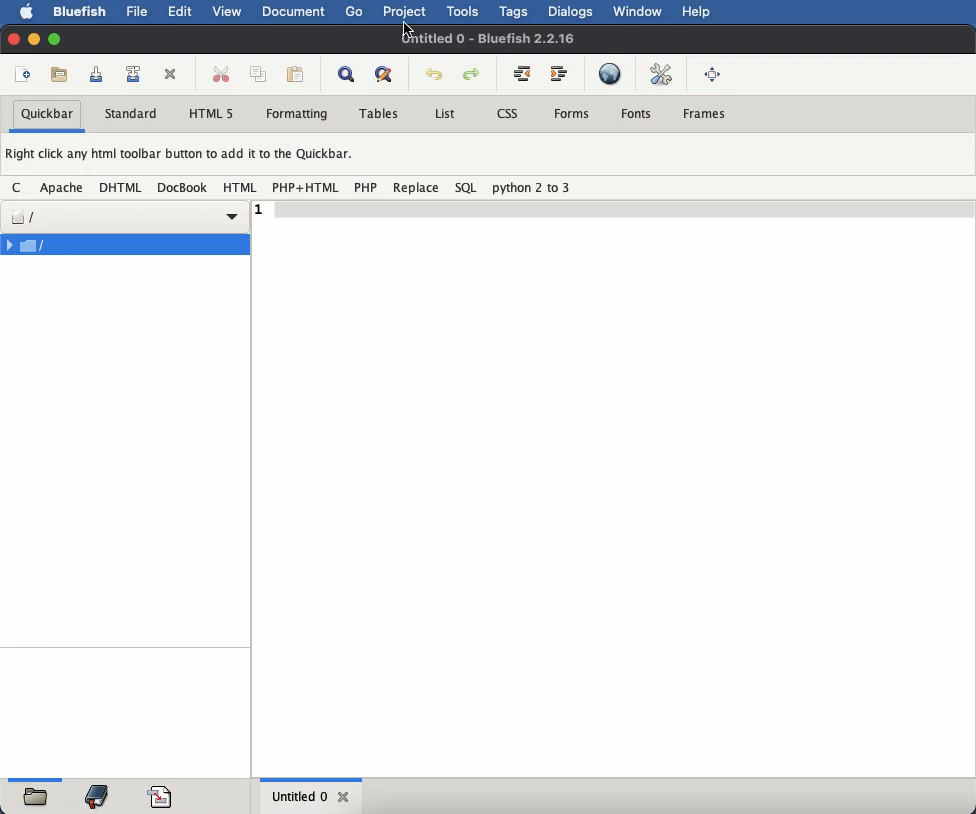 Image resolution: width=976 pixels, height=814 pixels. Describe the element at coordinates (295, 796) in the screenshot. I see `untitled 0` at that location.